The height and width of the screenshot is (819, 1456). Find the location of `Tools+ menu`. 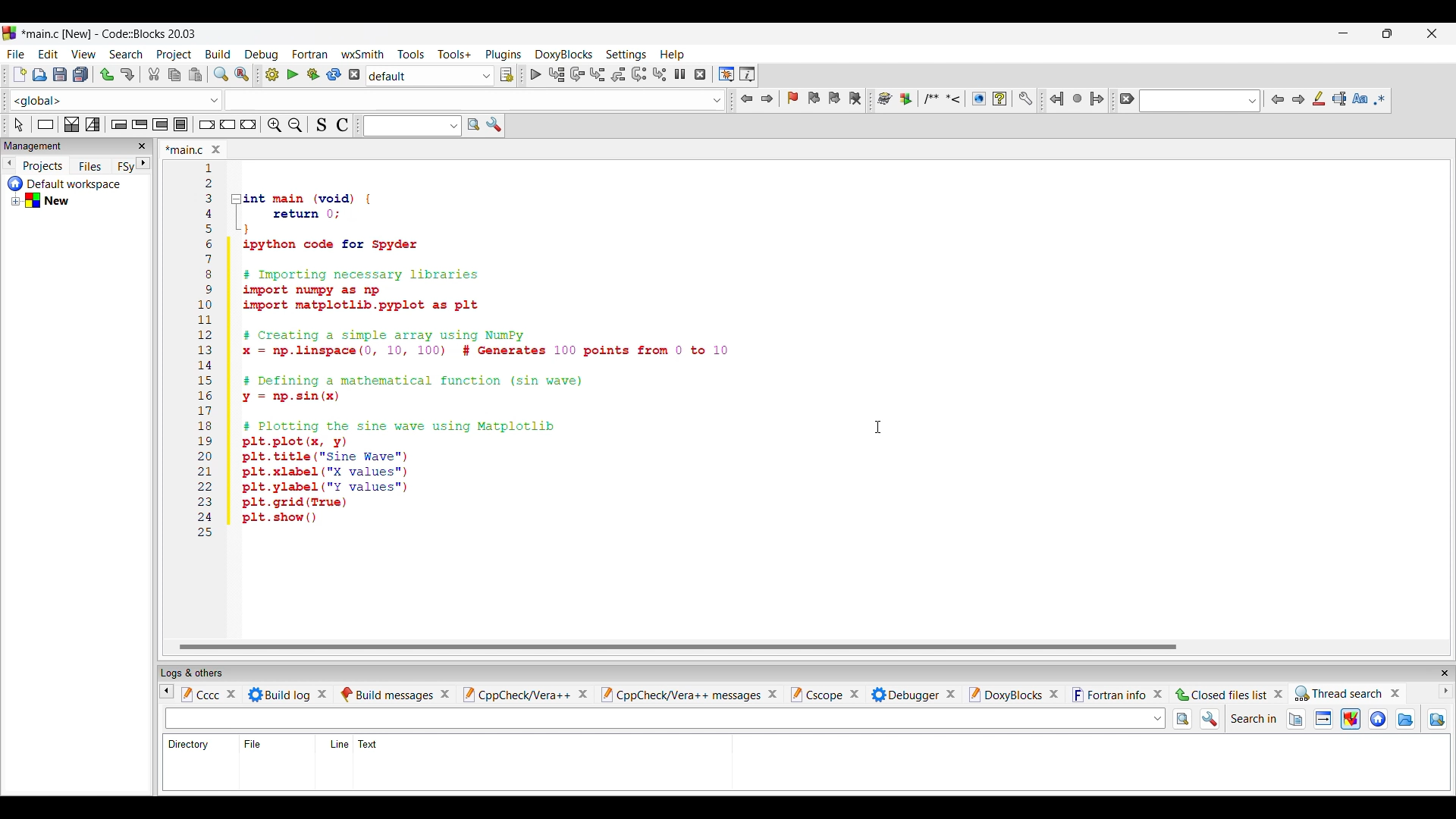

Tools+ menu is located at coordinates (455, 54).